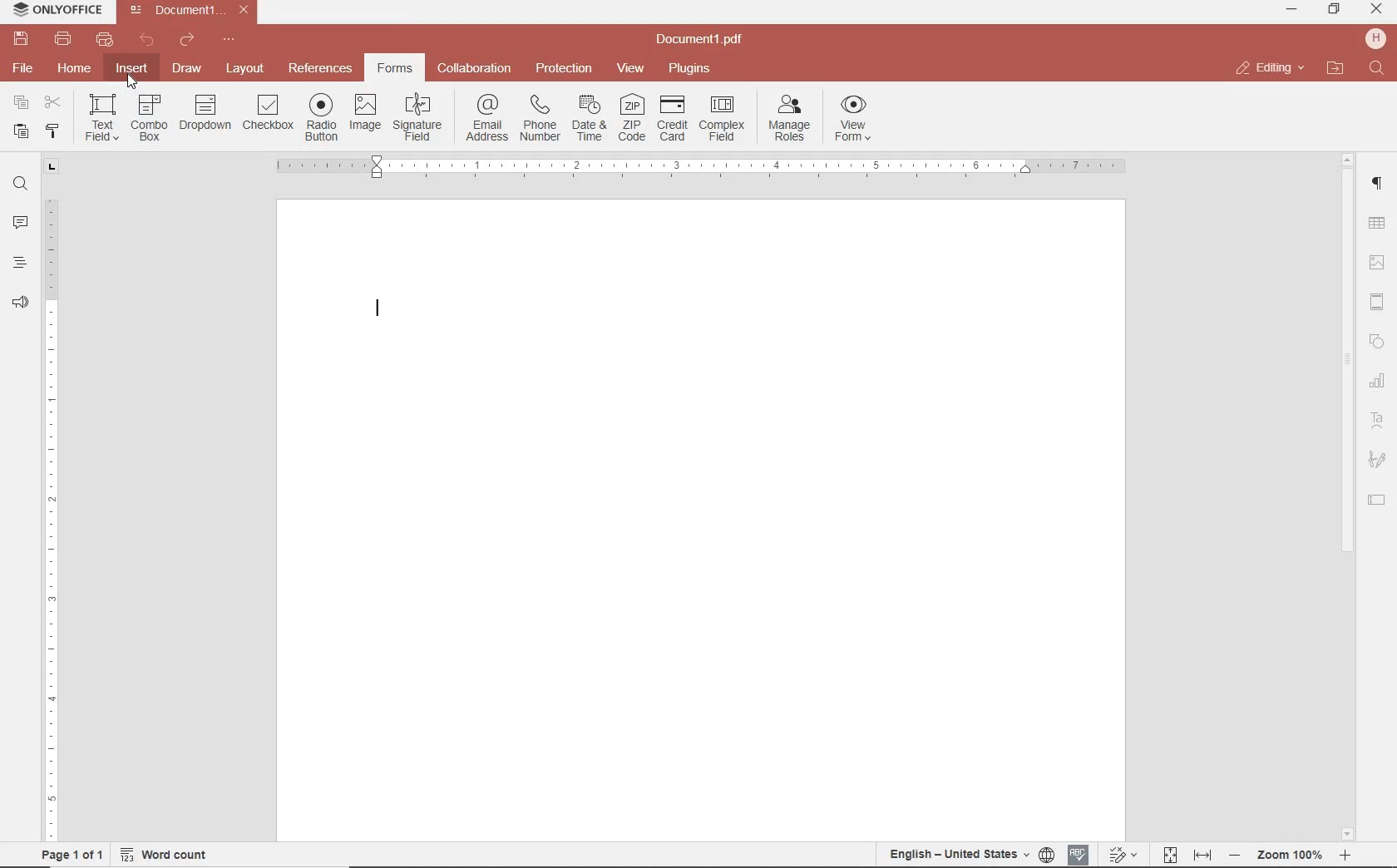 This screenshot has height=868, width=1397. I want to click on TABLE, so click(1377, 225).